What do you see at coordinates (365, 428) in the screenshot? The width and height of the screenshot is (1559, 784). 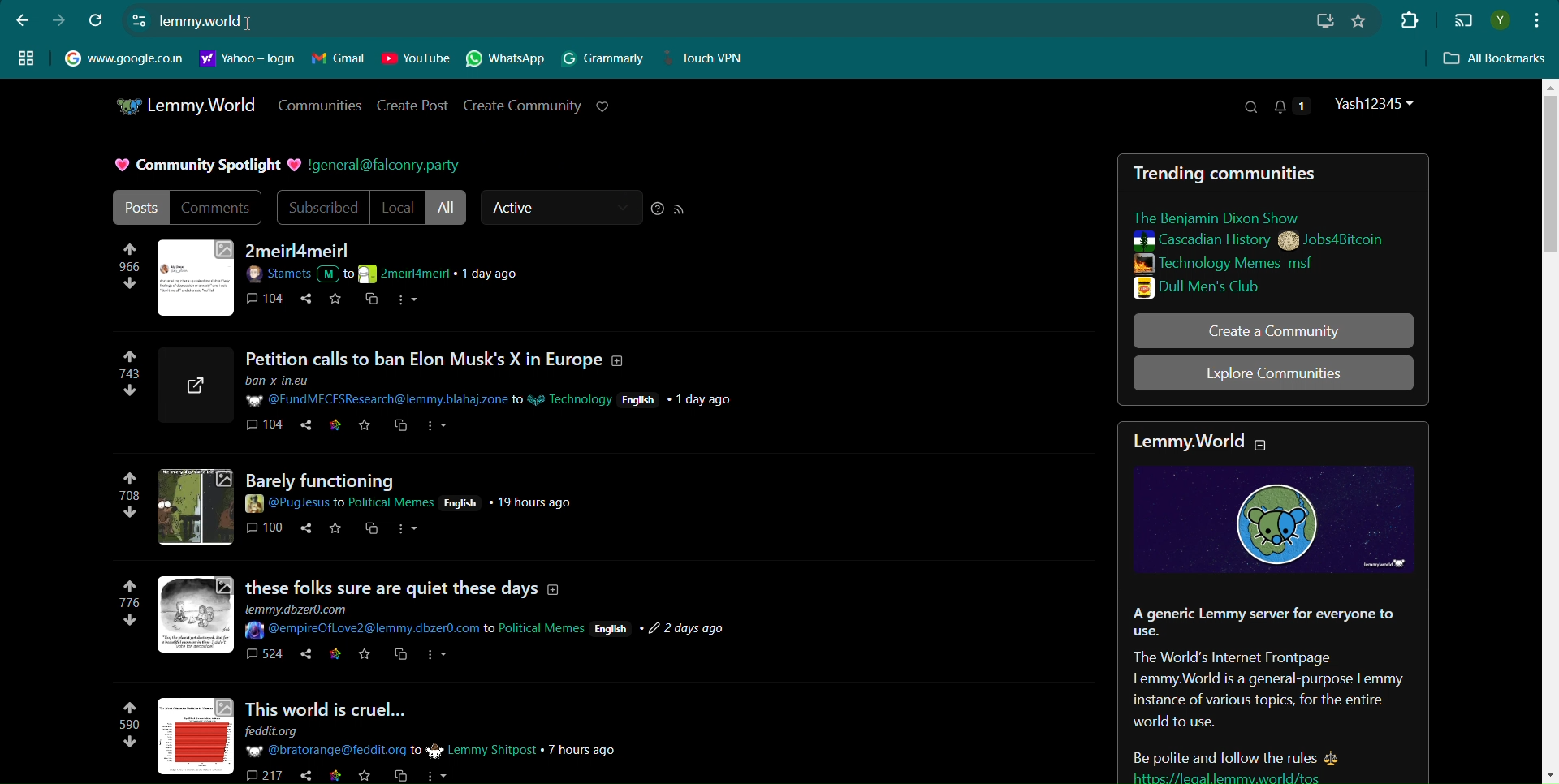 I see `star` at bounding box center [365, 428].